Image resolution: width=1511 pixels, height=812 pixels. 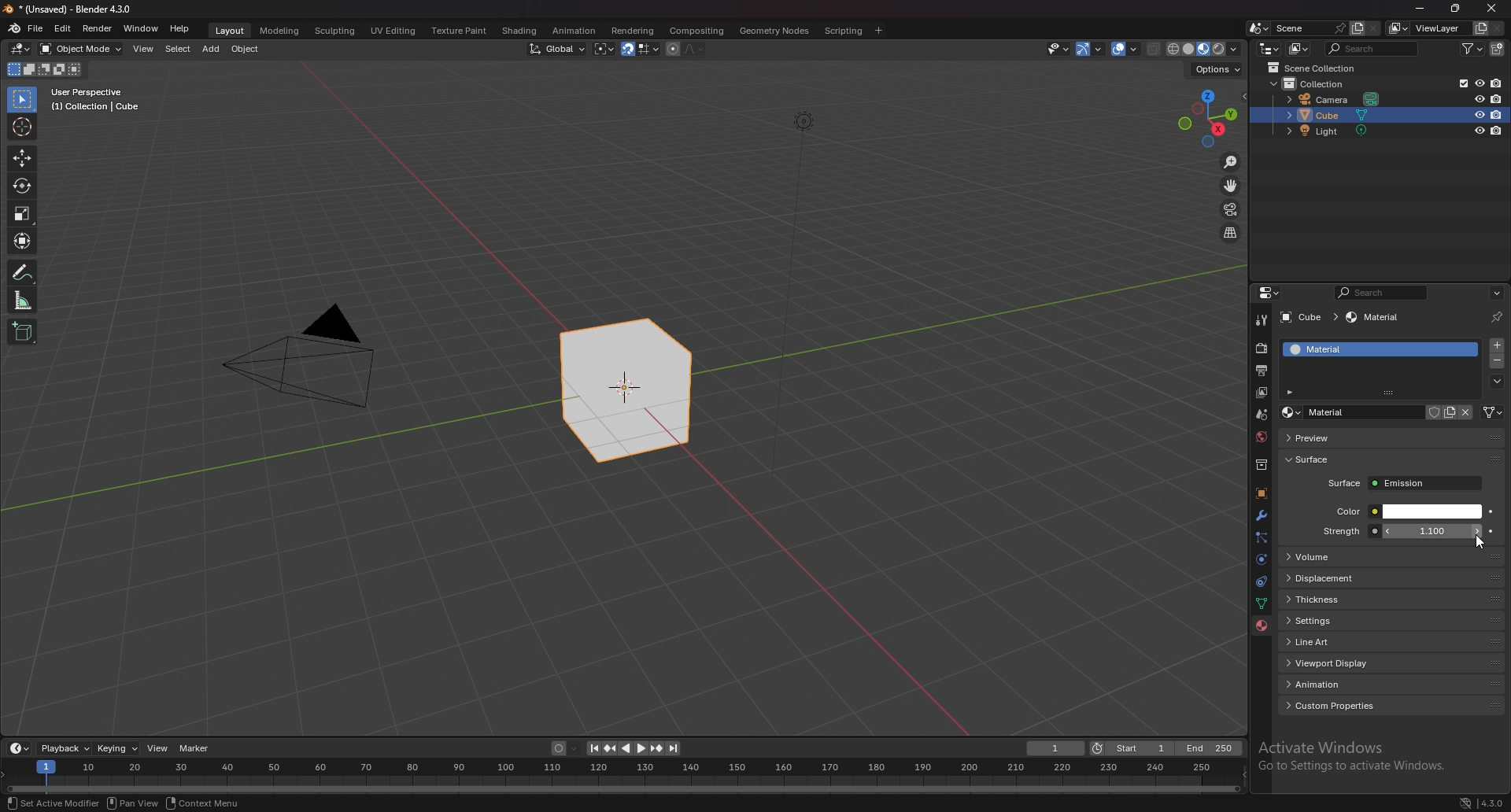 What do you see at coordinates (1350, 413) in the screenshot?
I see `name` at bounding box center [1350, 413].